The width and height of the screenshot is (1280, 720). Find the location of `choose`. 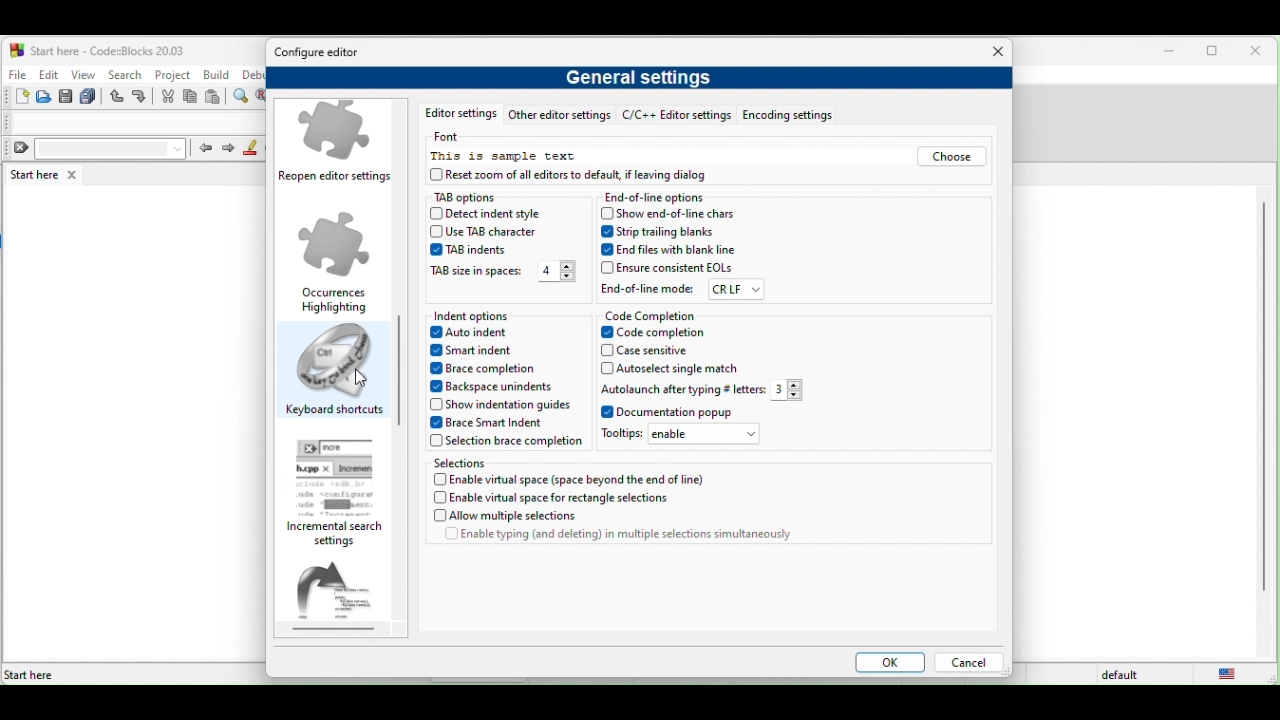

choose is located at coordinates (950, 158).